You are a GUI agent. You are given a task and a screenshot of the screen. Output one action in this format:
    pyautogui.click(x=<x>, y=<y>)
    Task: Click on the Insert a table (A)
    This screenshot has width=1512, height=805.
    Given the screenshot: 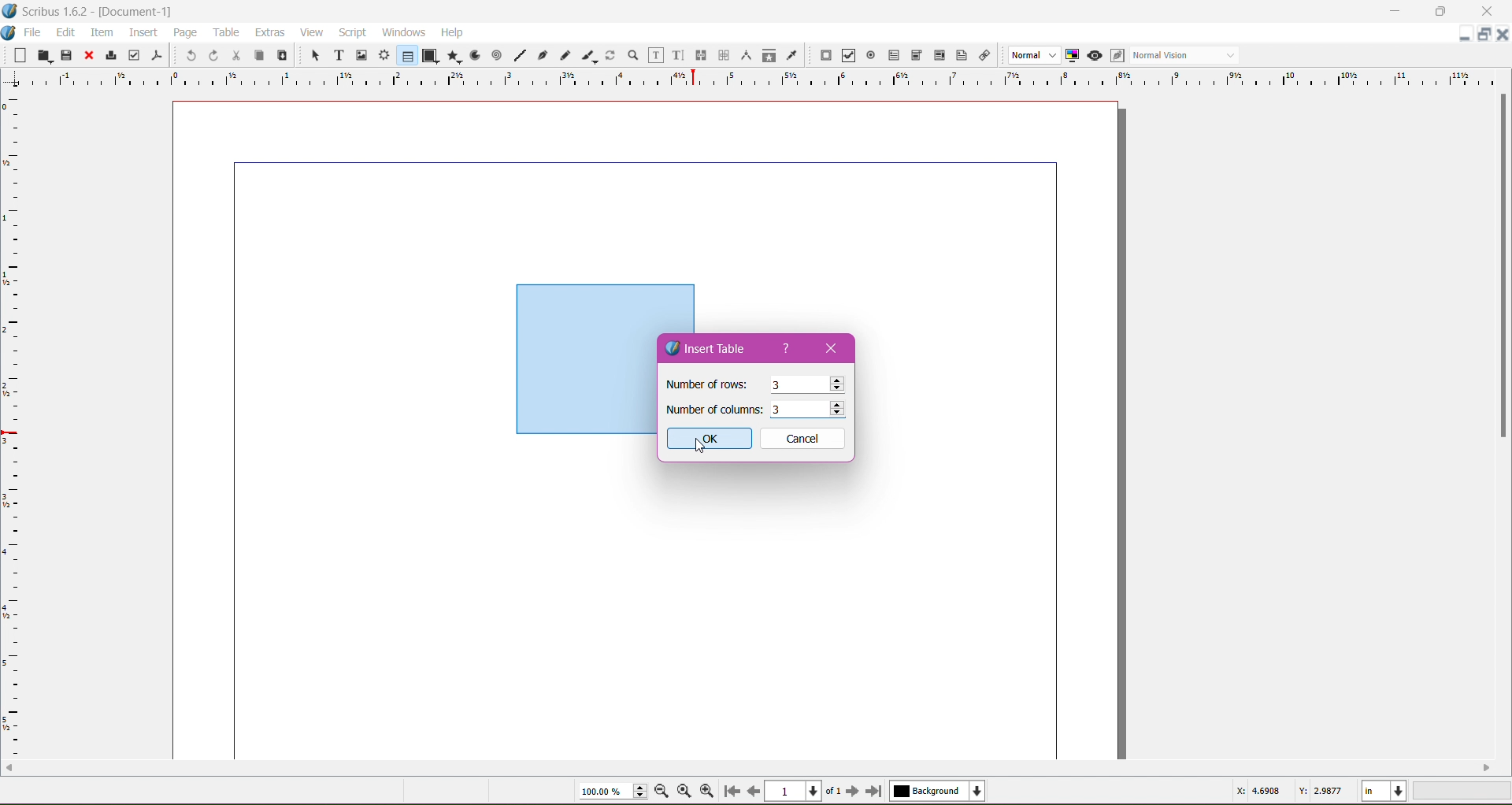 What is the action you would take?
    pyautogui.click(x=43, y=790)
    